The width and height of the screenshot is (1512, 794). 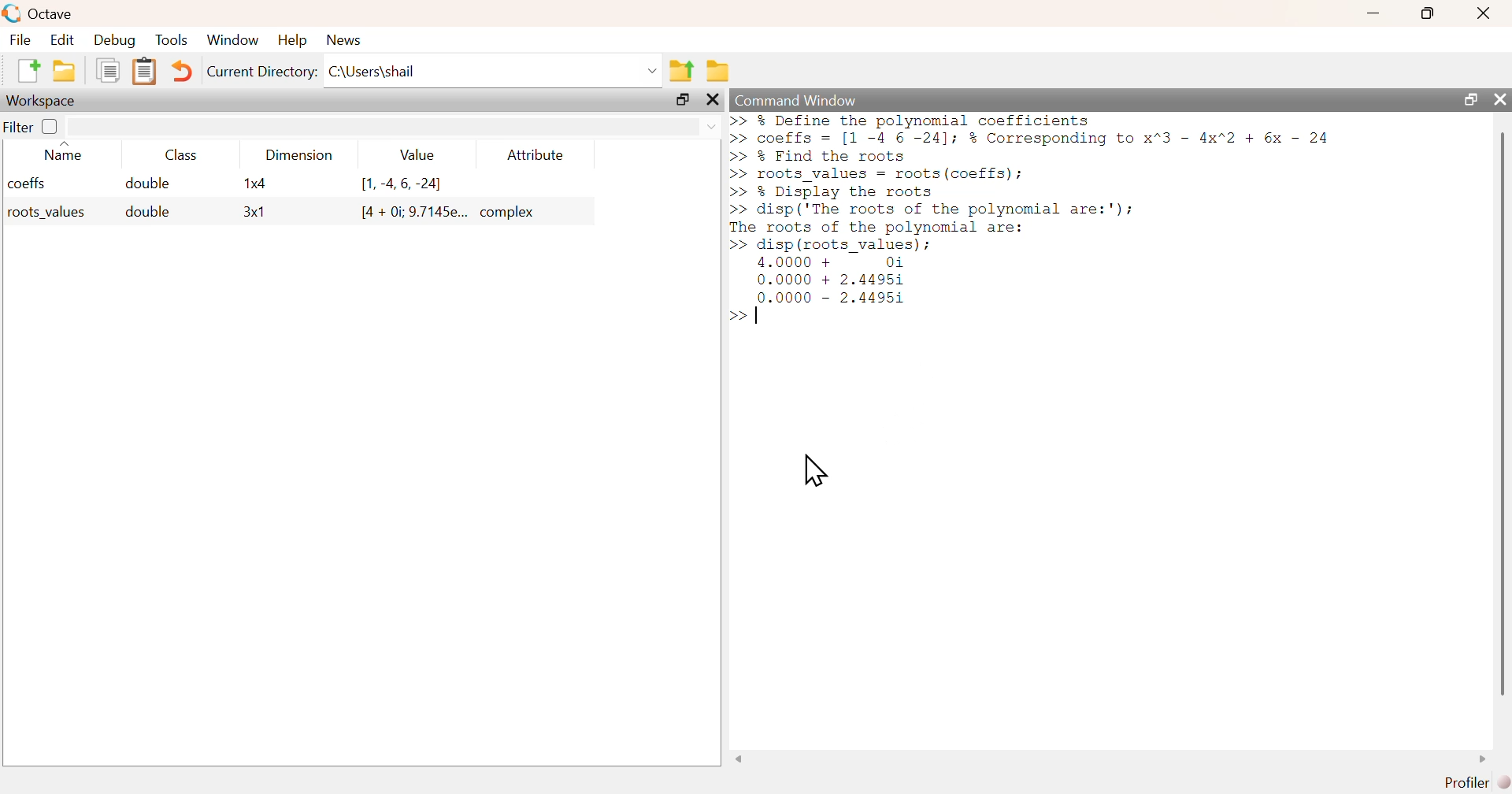 I want to click on New file, so click(x=26, y=71).